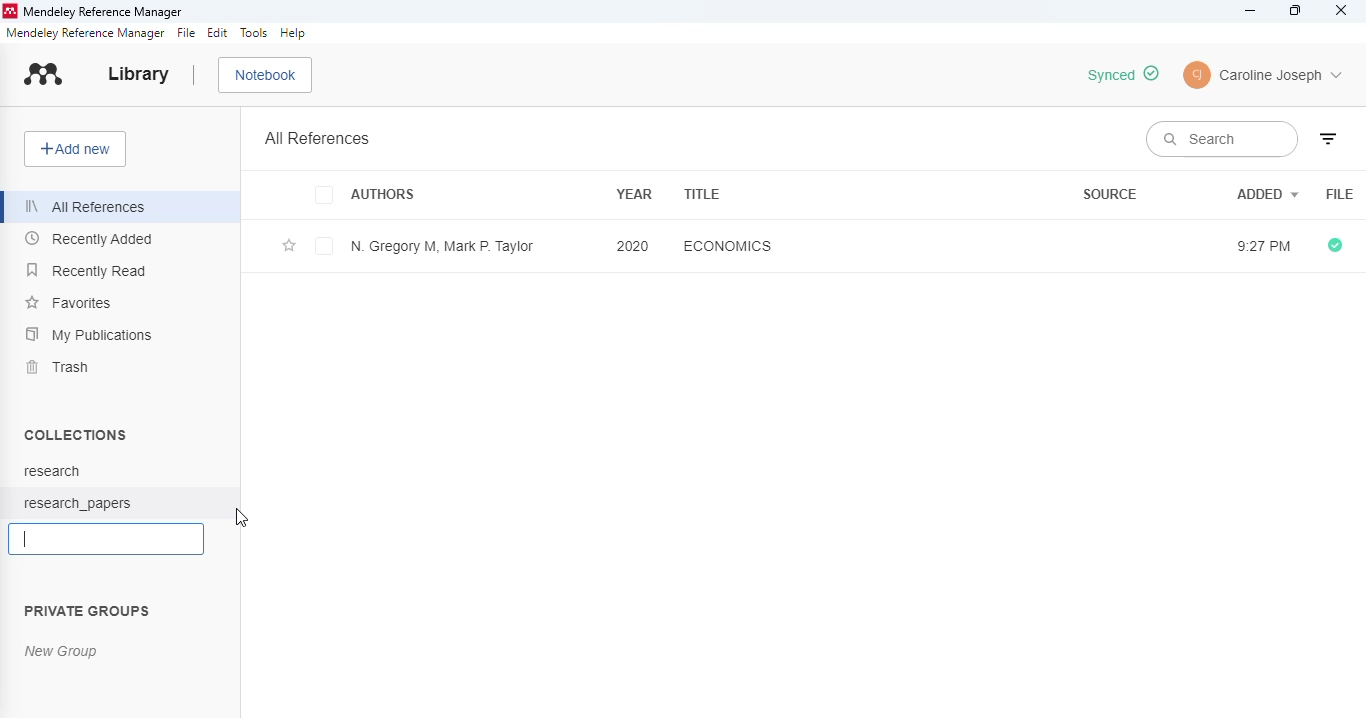  What do you see at coordinates (1342, 10) in the screenshot?
I see `close` at bounding box center [1342, 10].